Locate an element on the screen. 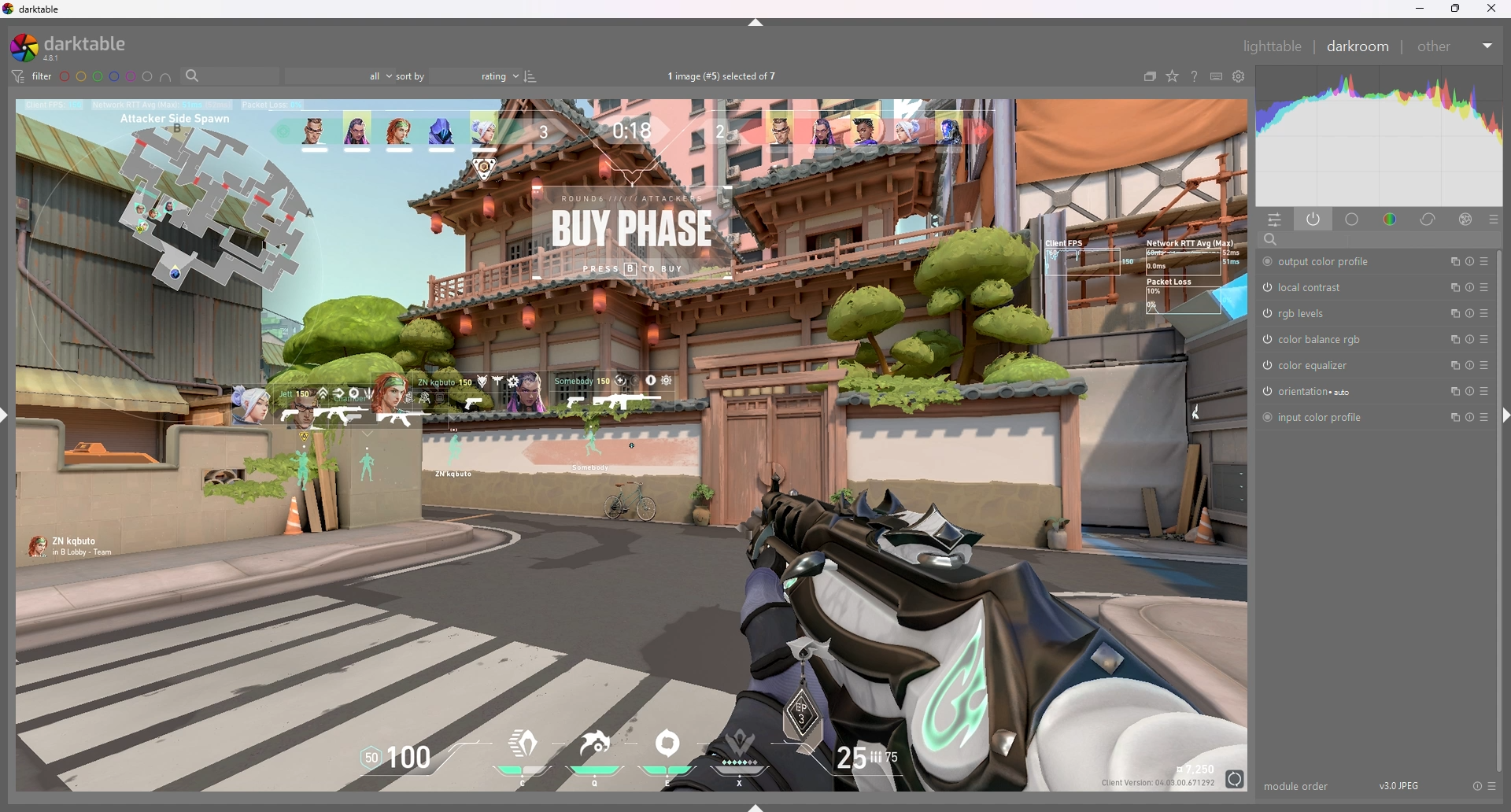  filter is located at coordinates (31, 76).